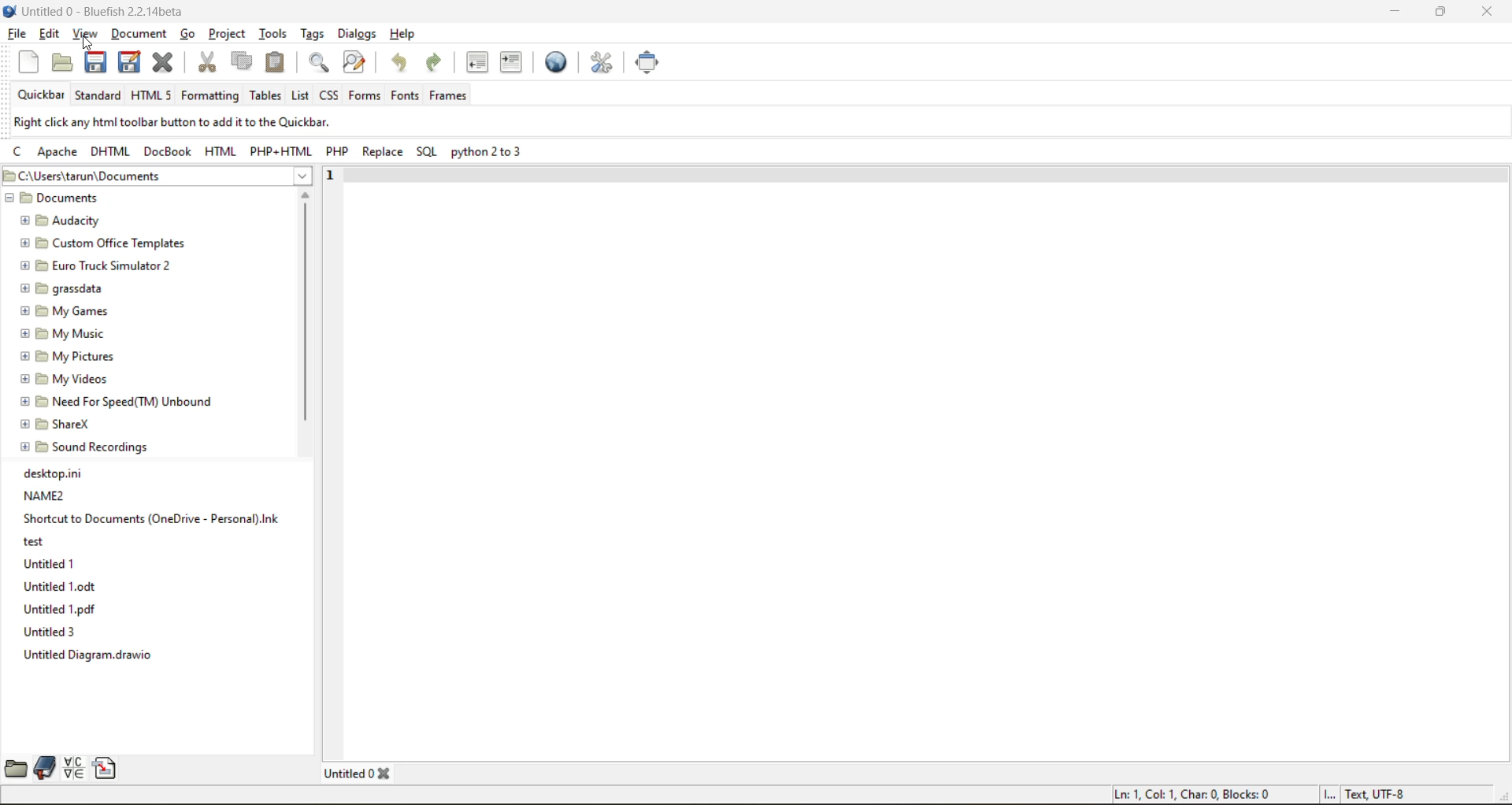  What do you see at coordinates (328, 96) in the screenshot?
I see `css` at bounding box center [328, 96].